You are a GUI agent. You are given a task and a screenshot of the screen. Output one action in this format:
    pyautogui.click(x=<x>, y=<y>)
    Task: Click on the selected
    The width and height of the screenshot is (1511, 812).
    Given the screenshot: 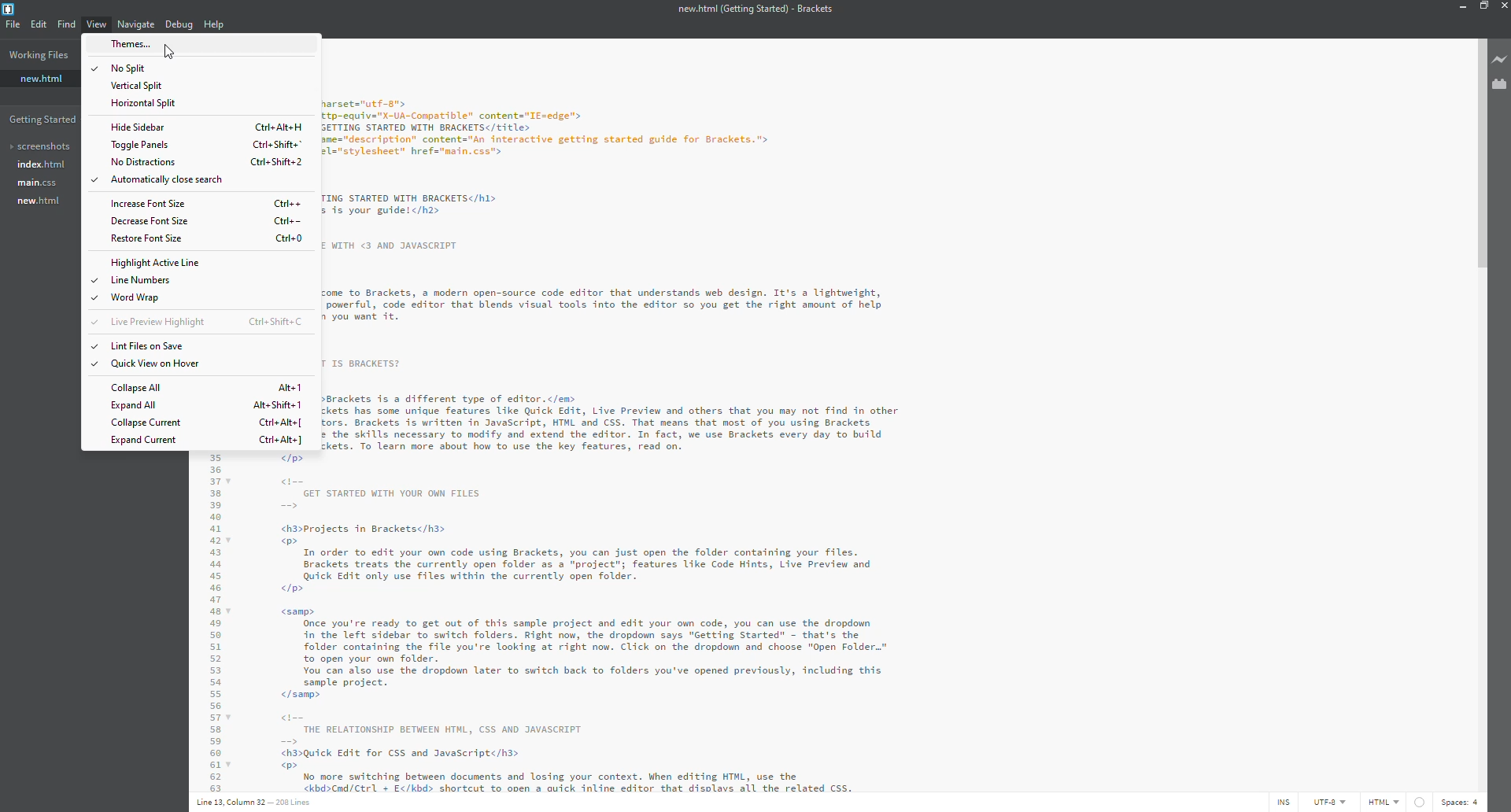 What is the action you would take?
    pyautogui.click(x=93, y=279)
    